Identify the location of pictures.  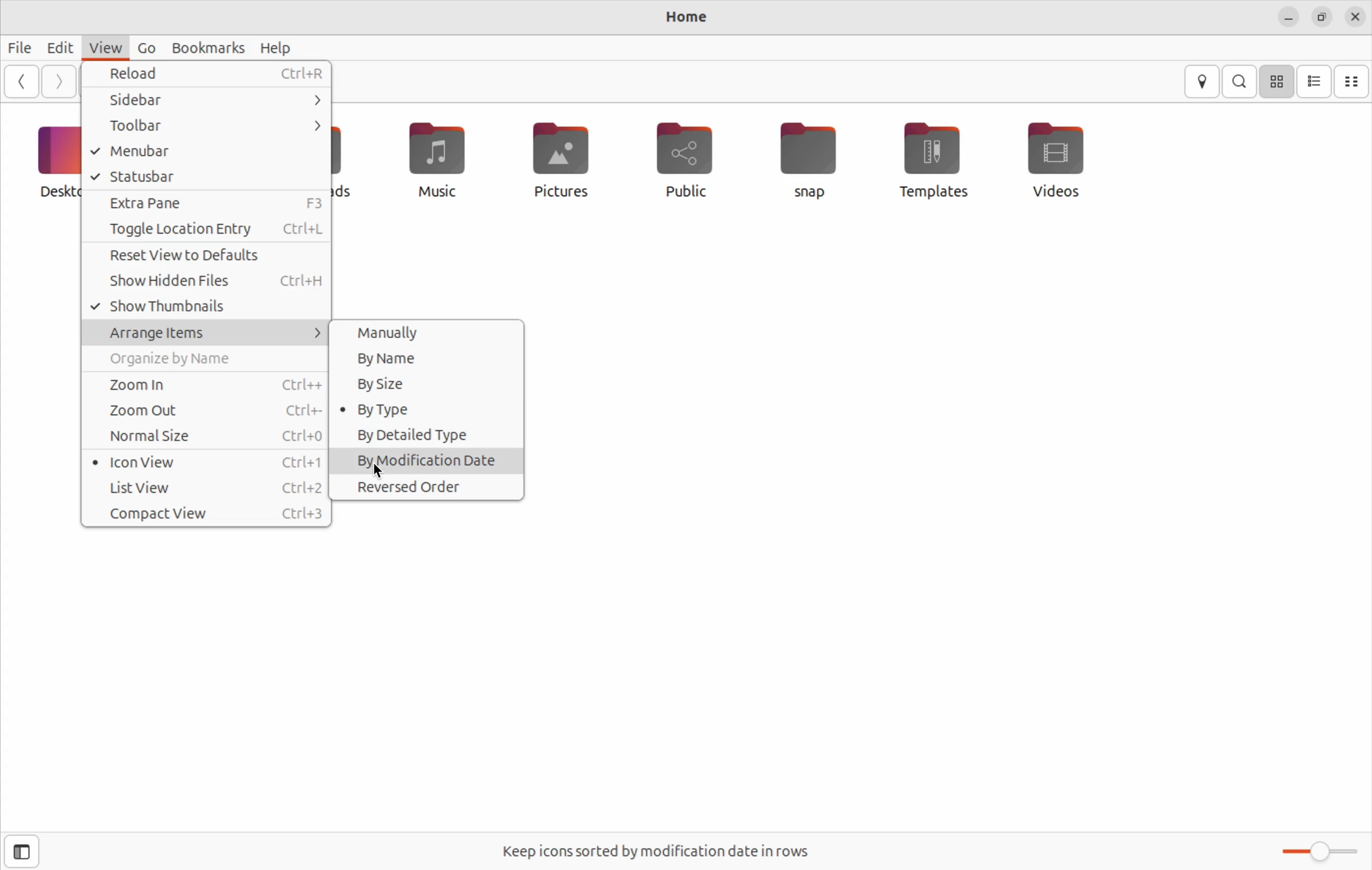
(558, 161).